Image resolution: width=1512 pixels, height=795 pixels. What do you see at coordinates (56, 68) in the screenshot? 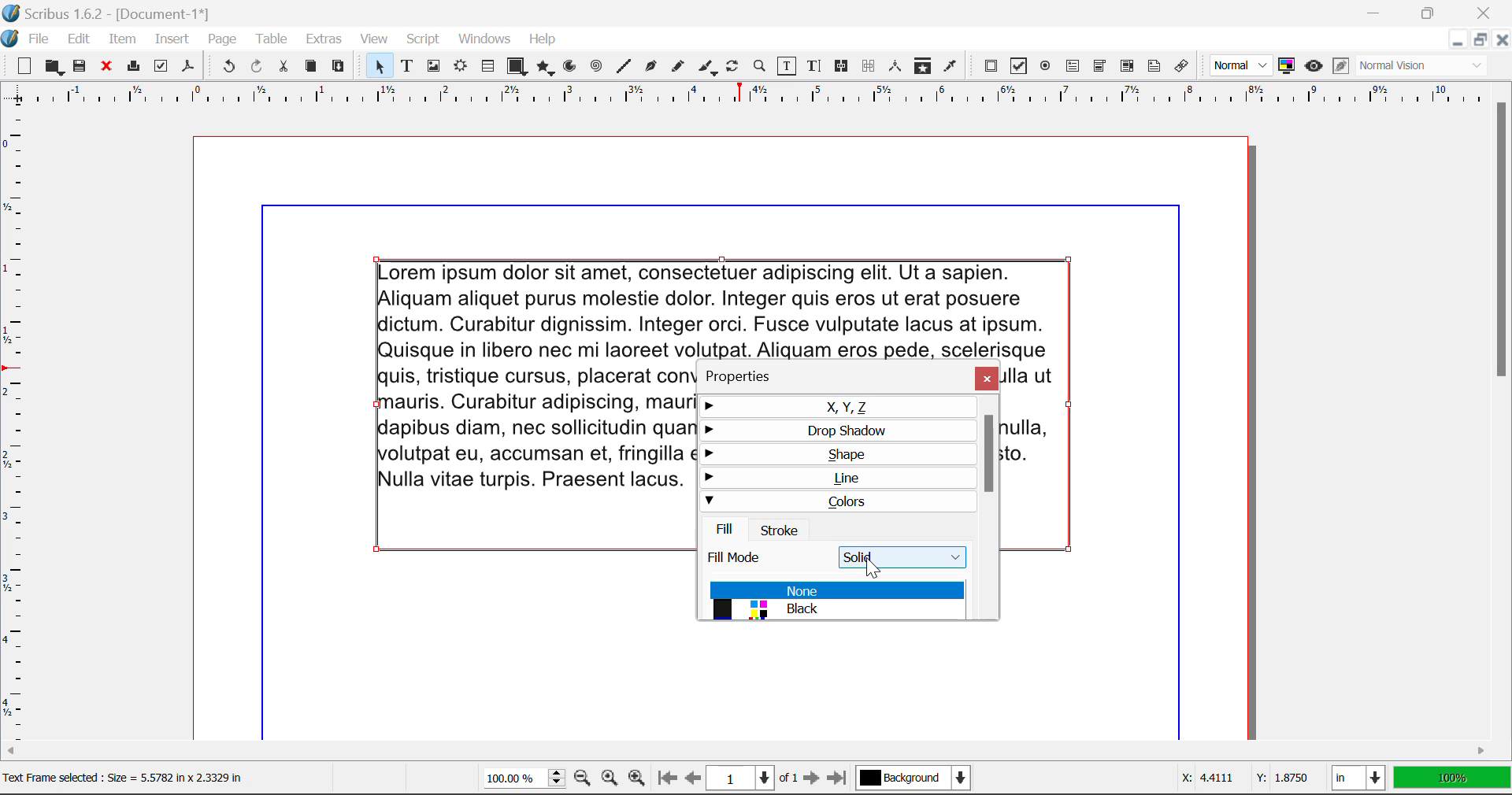
I see `Open` at bounding box center [56, 68].